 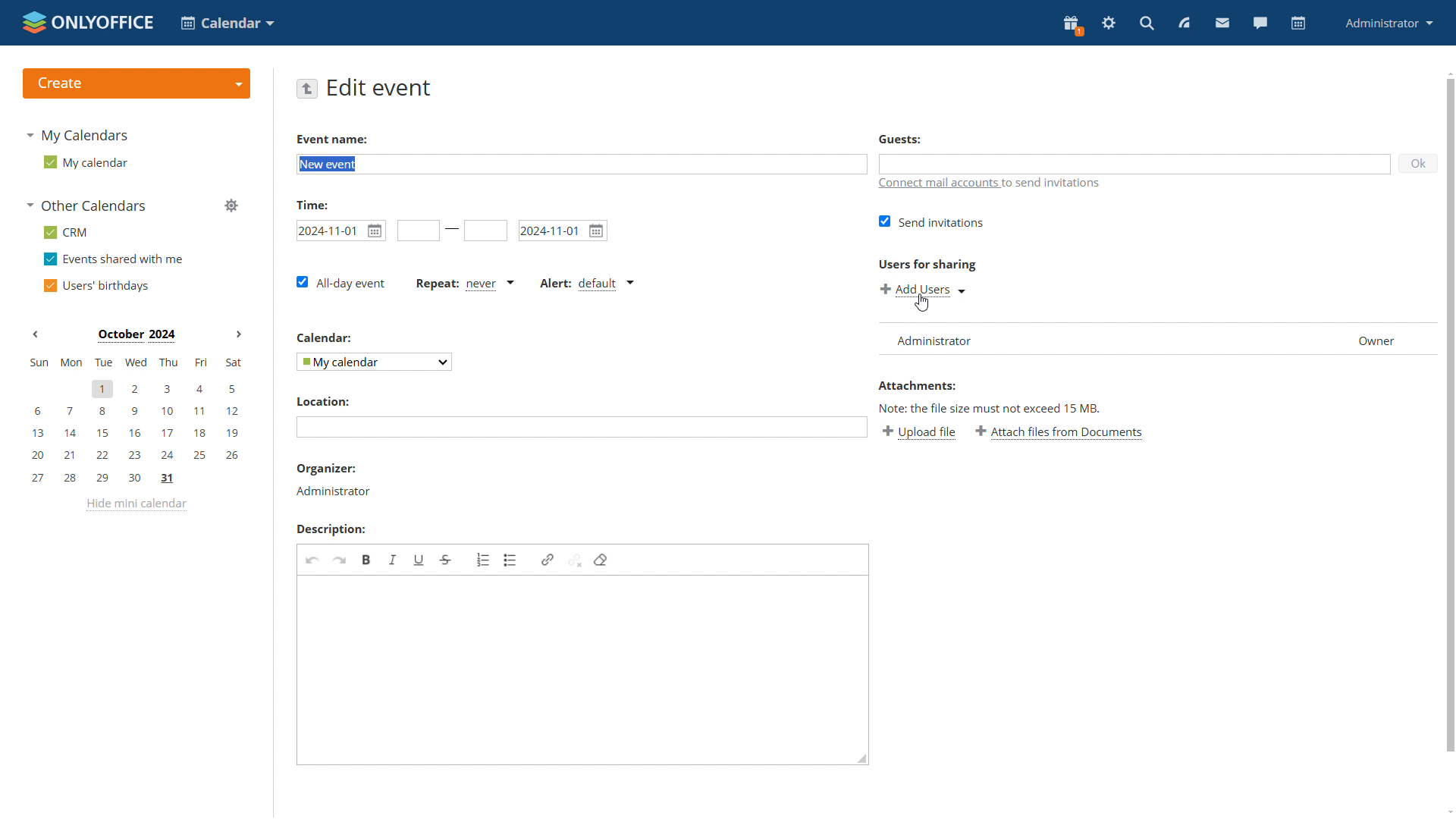 What do you see at coordinates (324, 338) in the screenshot?
I see `Calendar` at bounding box center [324, 338].